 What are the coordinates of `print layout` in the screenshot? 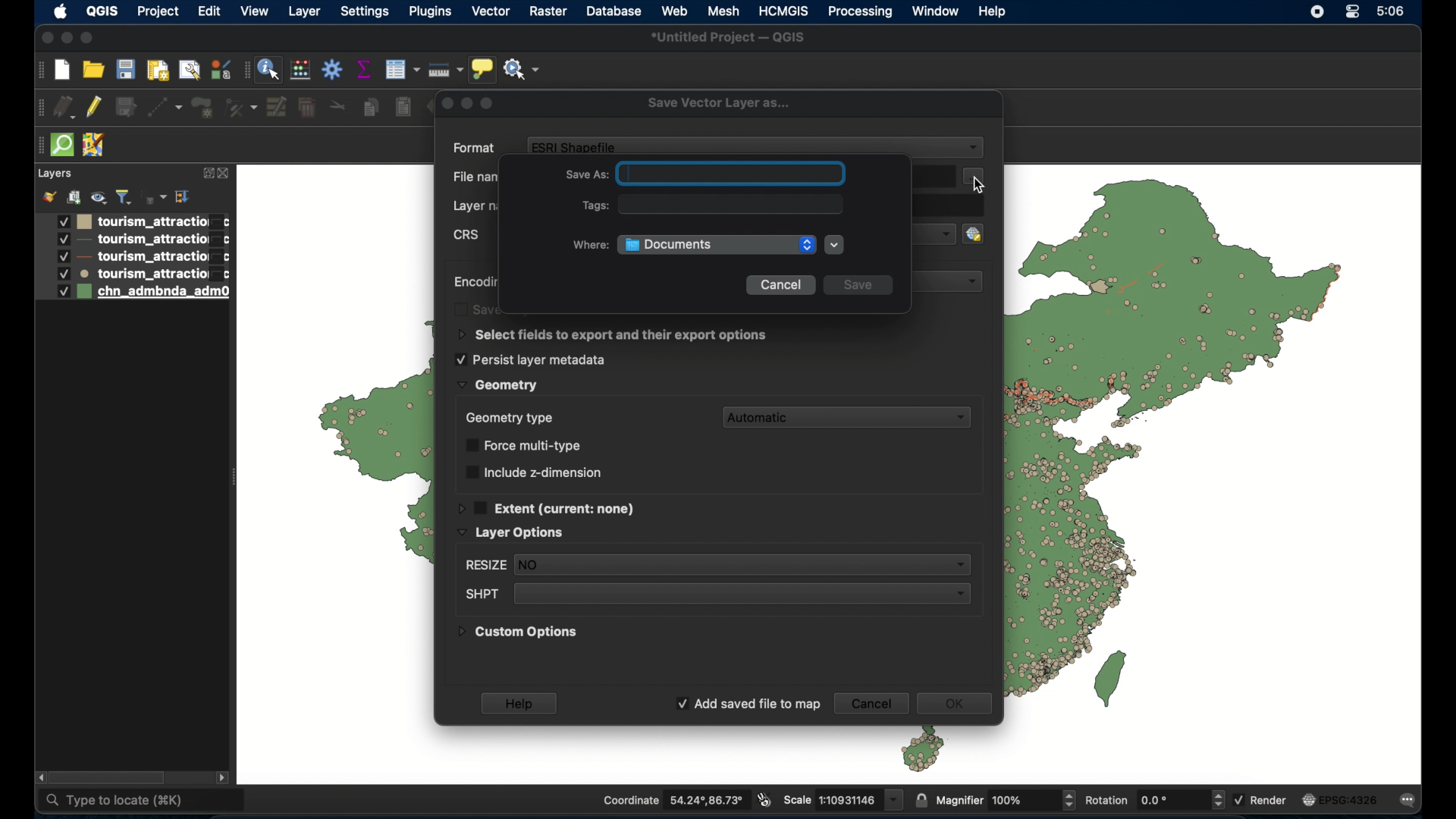 It's located at (158, 69).